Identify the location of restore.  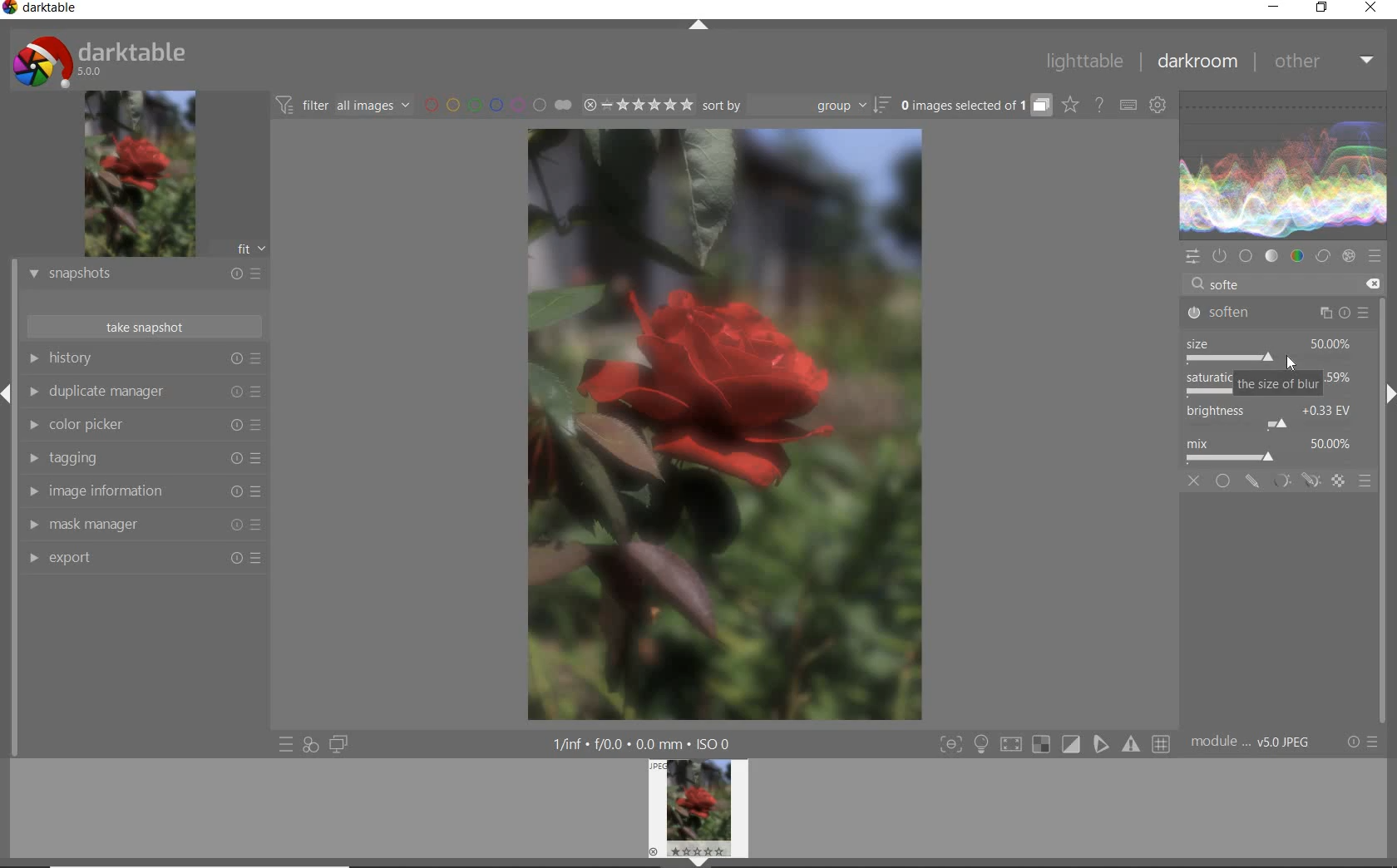
(1324, 10).